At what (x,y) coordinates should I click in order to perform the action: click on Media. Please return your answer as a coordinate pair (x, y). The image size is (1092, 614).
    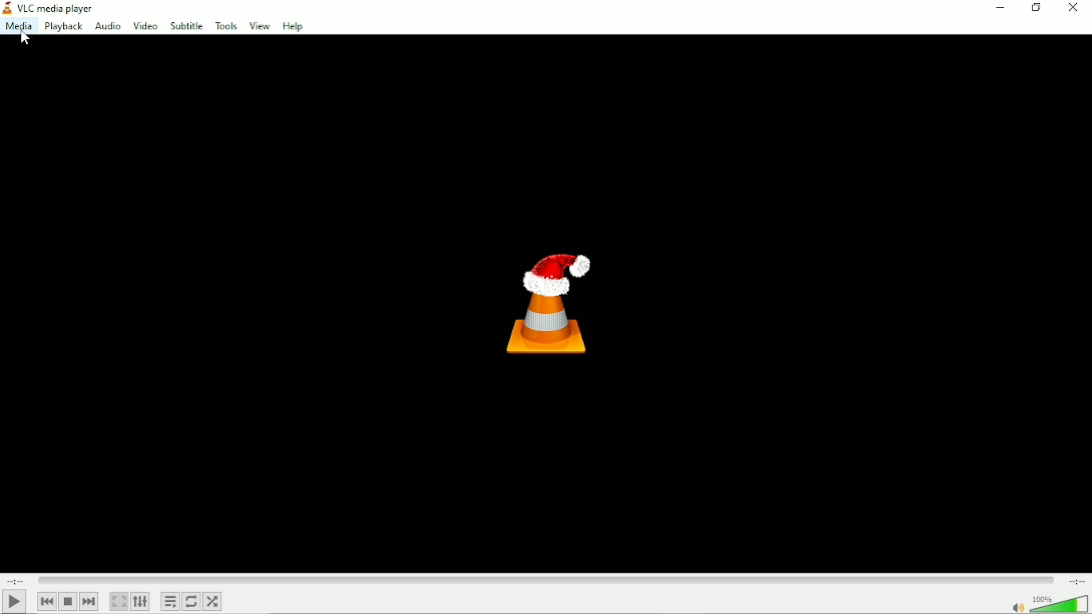
    Looking at the image, I should click on (18, 26).